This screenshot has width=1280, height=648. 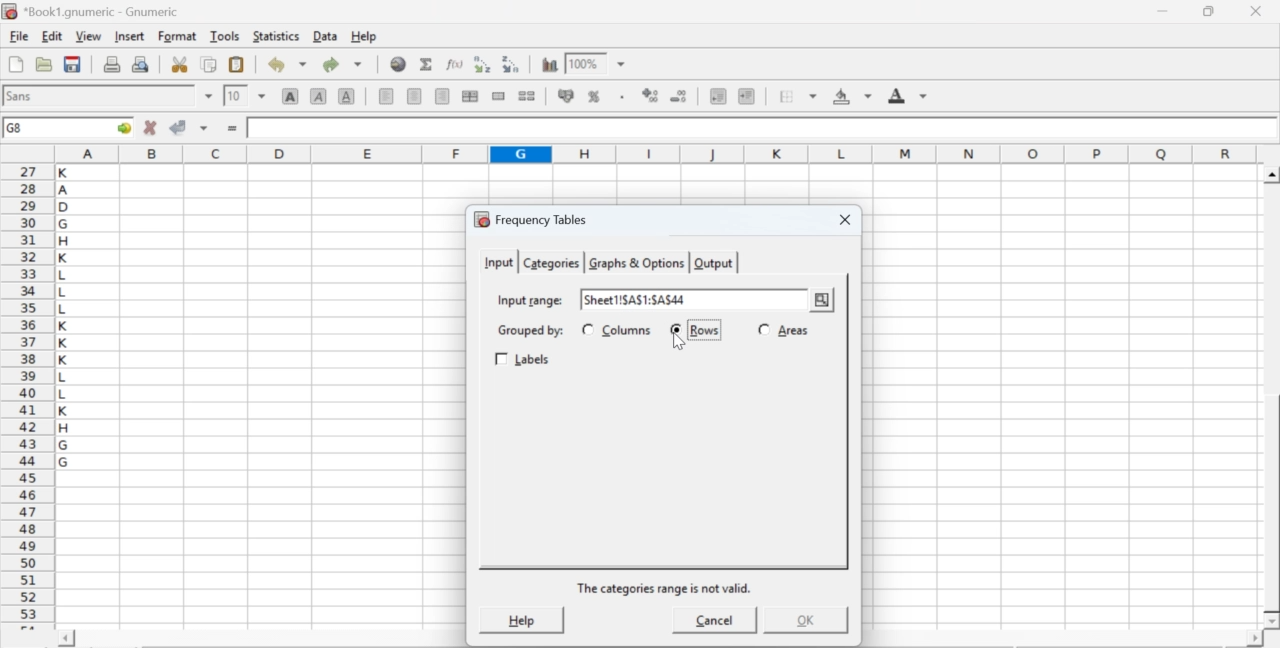 What do you see at coordinates (1254, 11) in the screenshot?
I see `close` at bounding box center [1254, 11].